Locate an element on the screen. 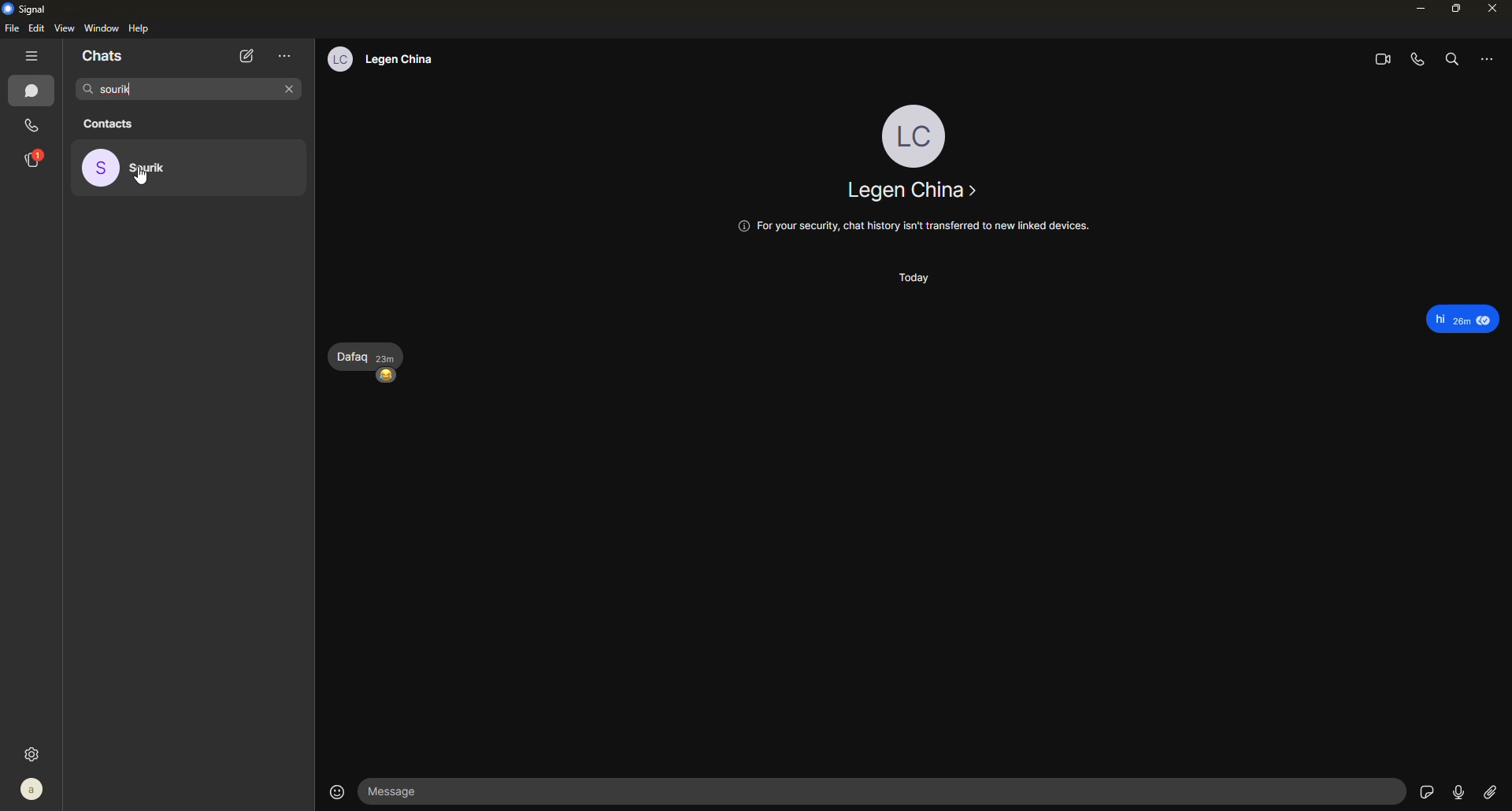  searched contact - sourik is located at coordinates (148, 170).